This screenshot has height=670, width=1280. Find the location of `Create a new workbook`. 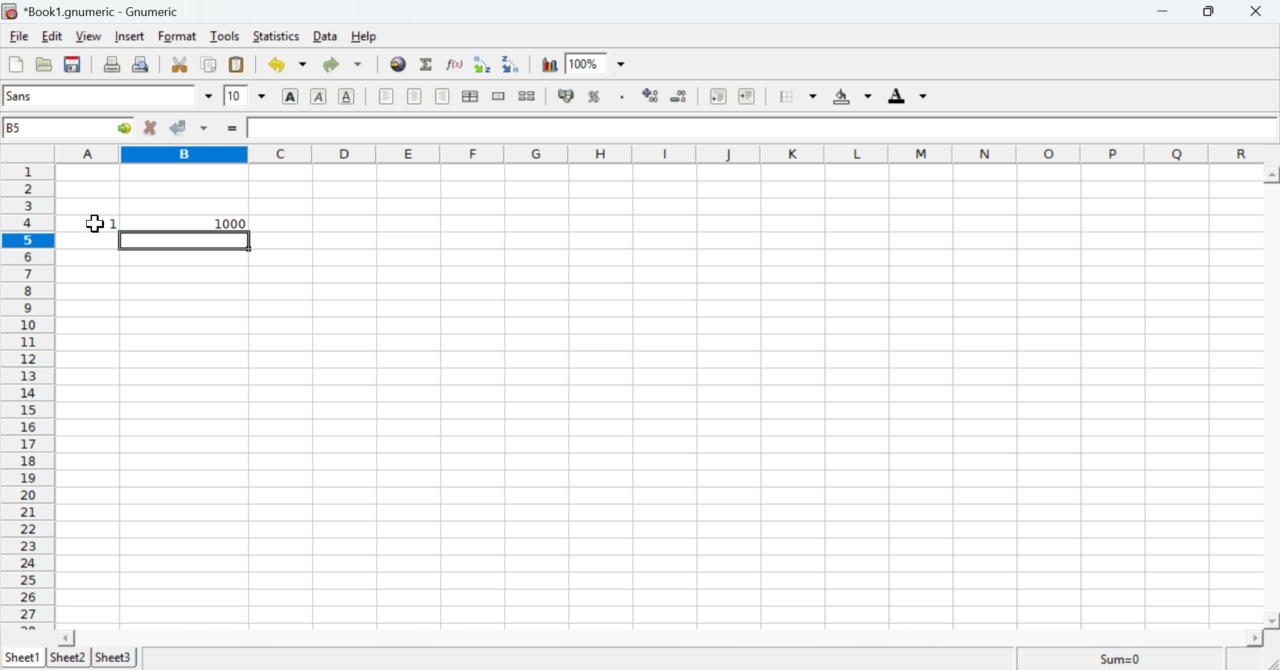

Create a new workbook is located at coordinates (15, 65).